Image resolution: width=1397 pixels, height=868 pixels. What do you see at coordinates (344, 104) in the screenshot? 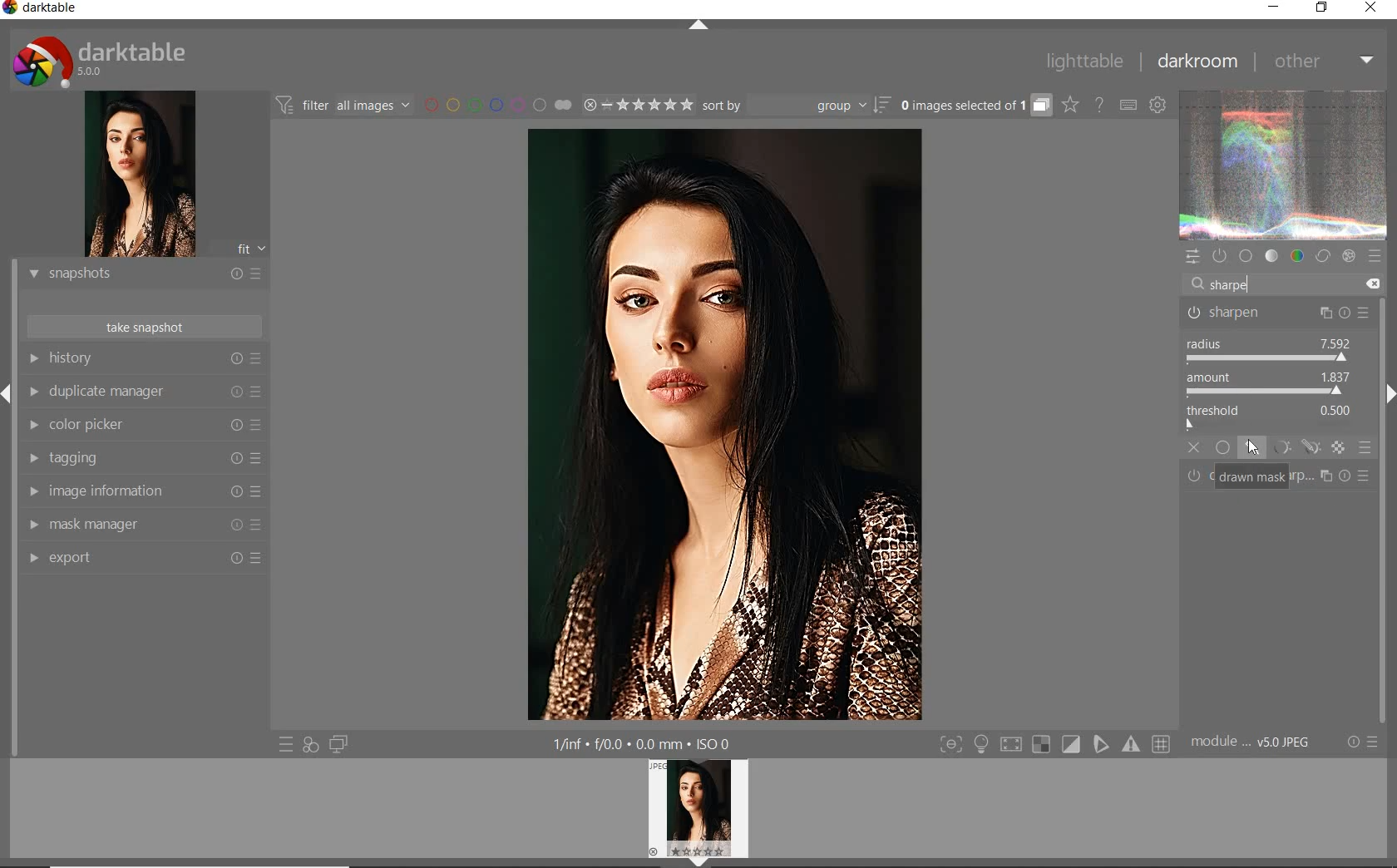
I see `filter images based on their modules` at bounding box center [344, 104].